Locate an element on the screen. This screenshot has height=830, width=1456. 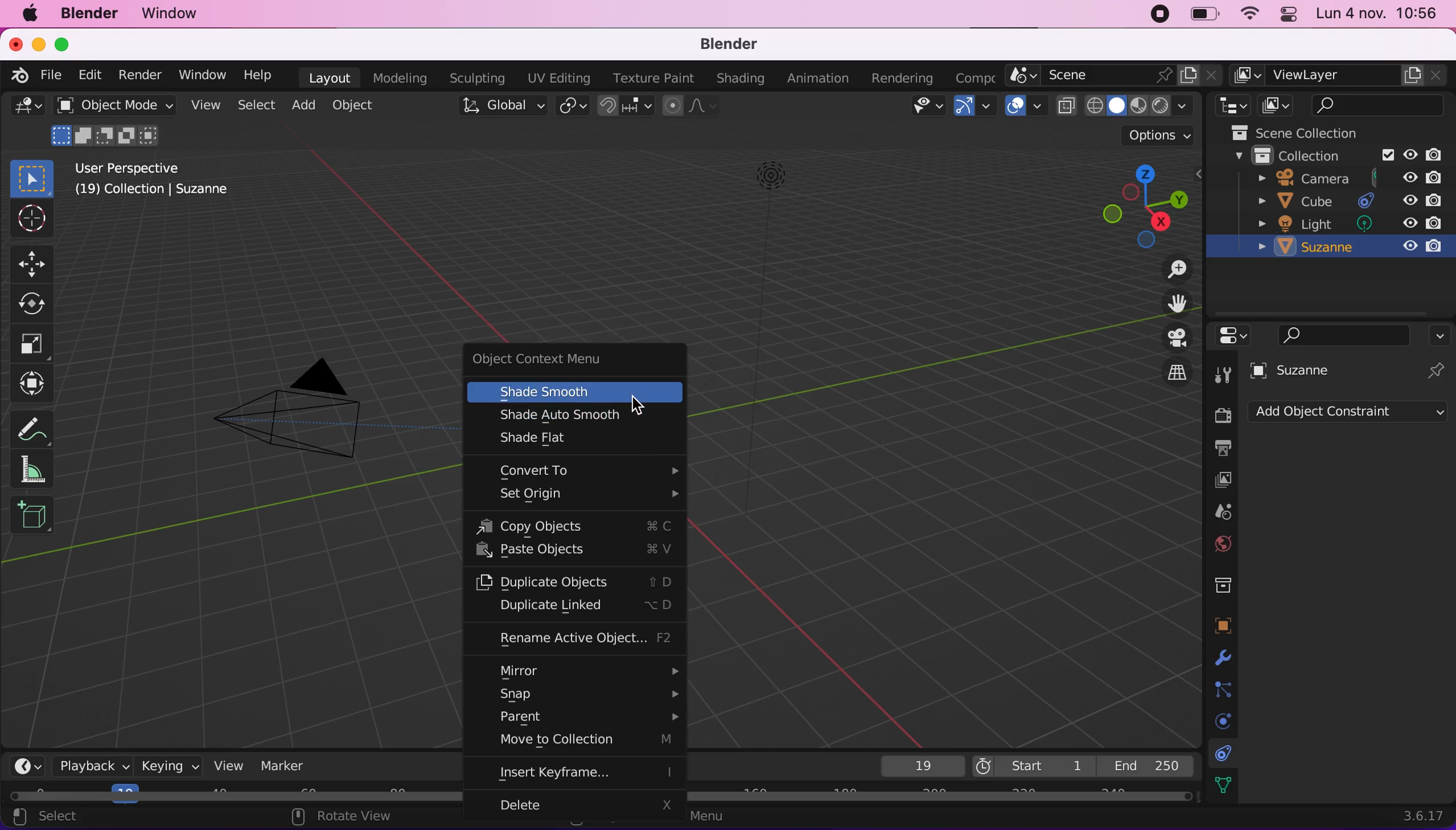
measure is located at coordinates (32, 471).